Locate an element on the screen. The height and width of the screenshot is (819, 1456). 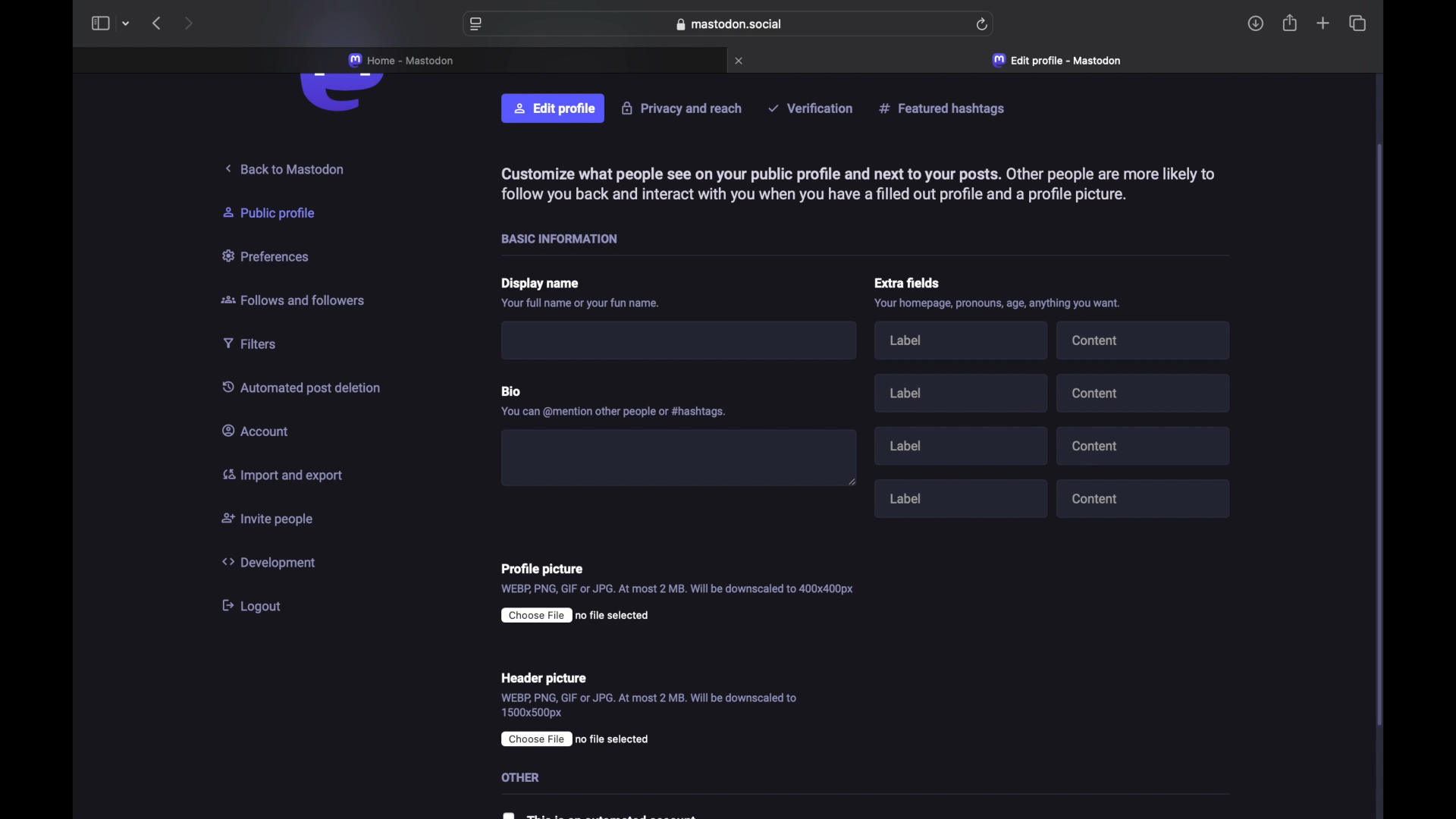
filters is located at coordinates (256, 343).